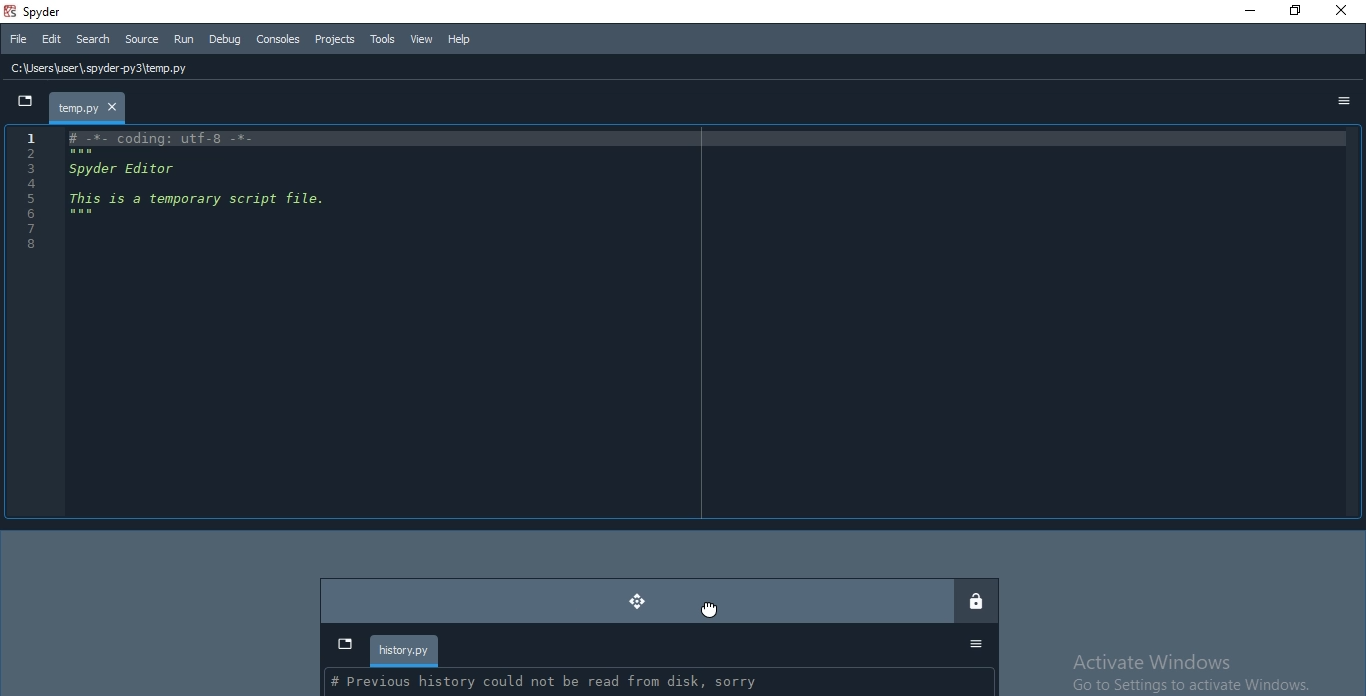  I want to click on Cursor on move button, so click(717, 608).